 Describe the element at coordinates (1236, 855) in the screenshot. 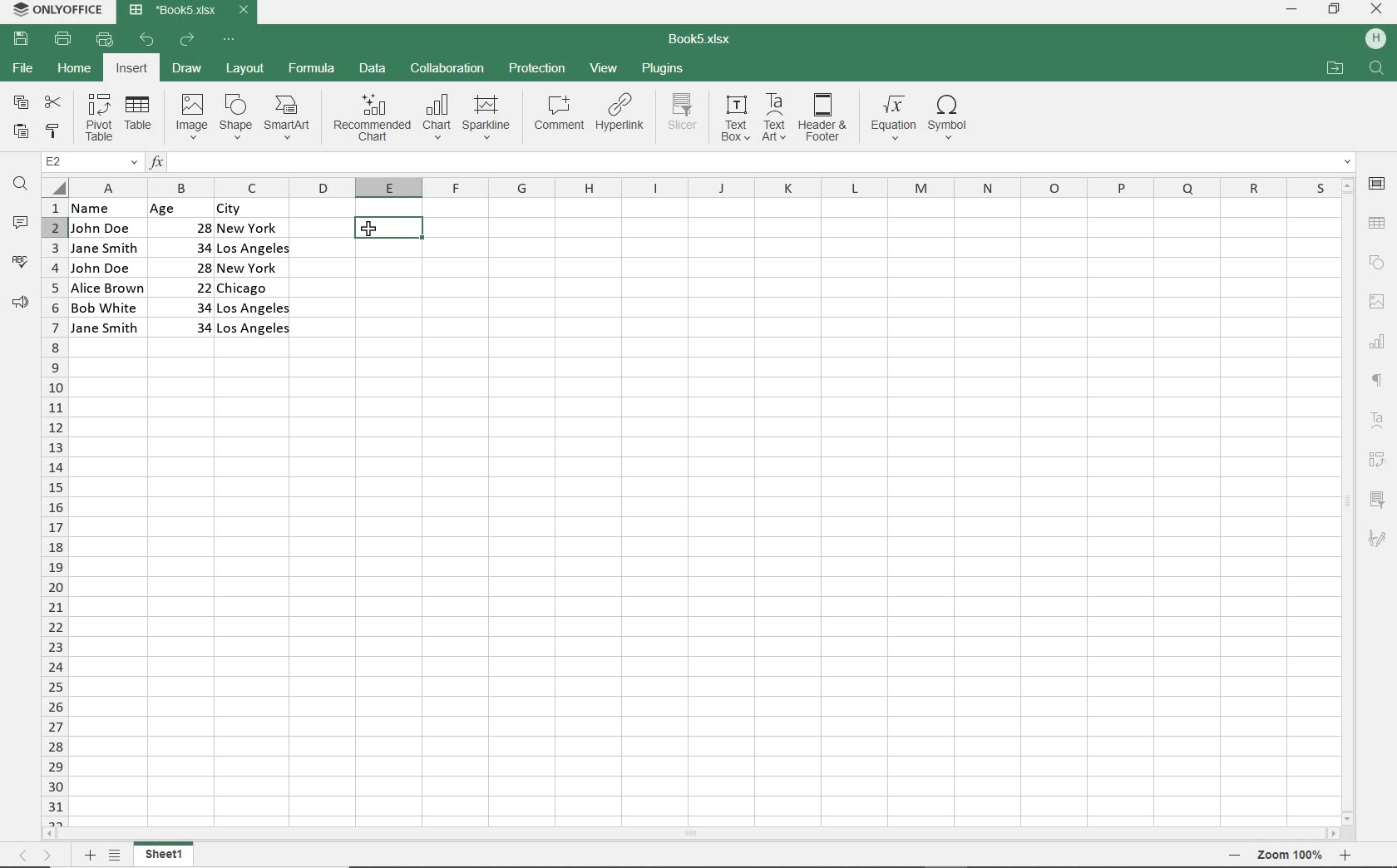

I see `zoom out` at that location.